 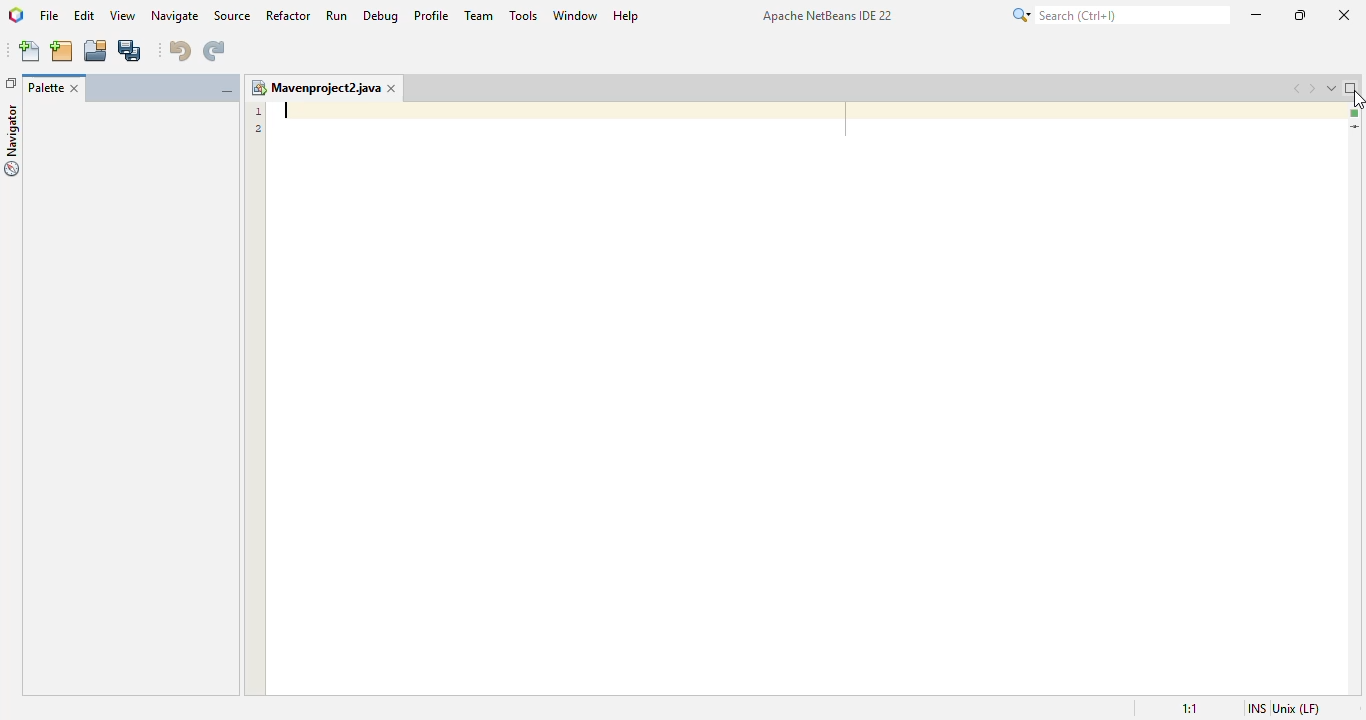 I want to click on navigator window, so click(x=13, y=140).